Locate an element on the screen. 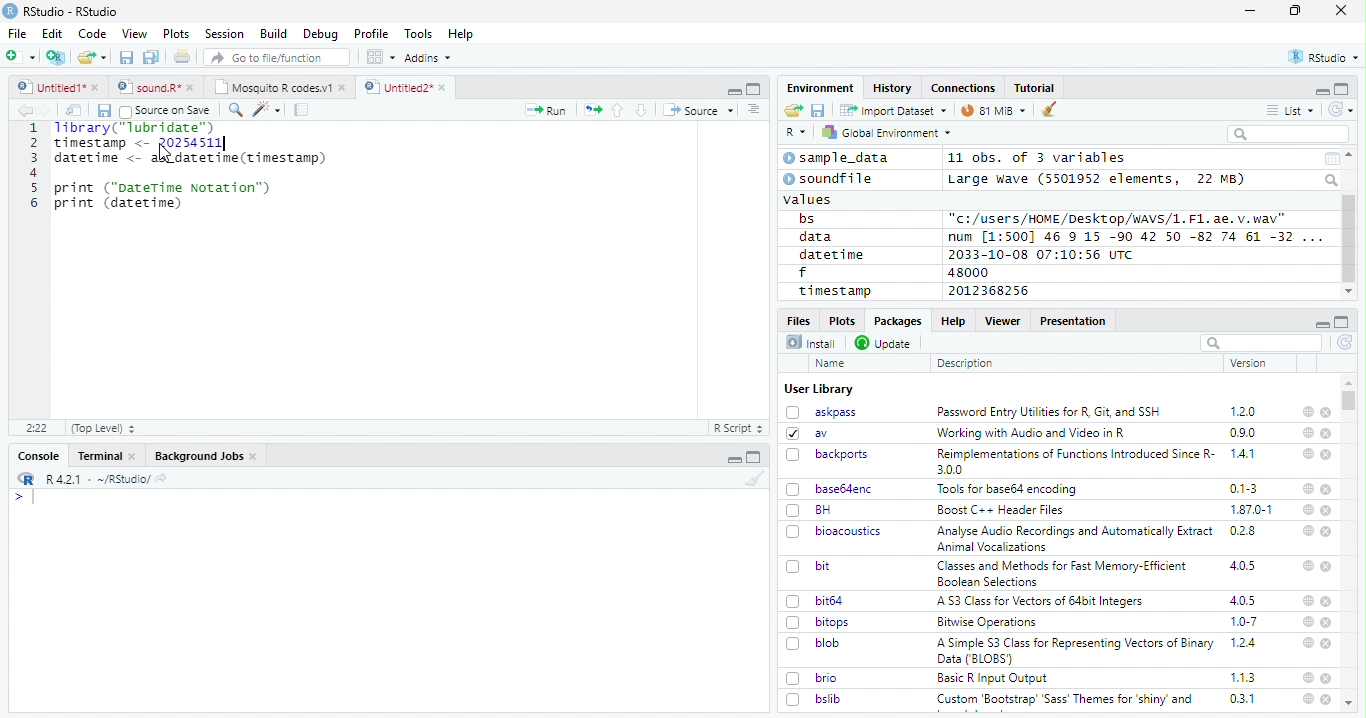 The width and height of the screenshot is (1366, 718). Plots is located at coordinates (176, 34).